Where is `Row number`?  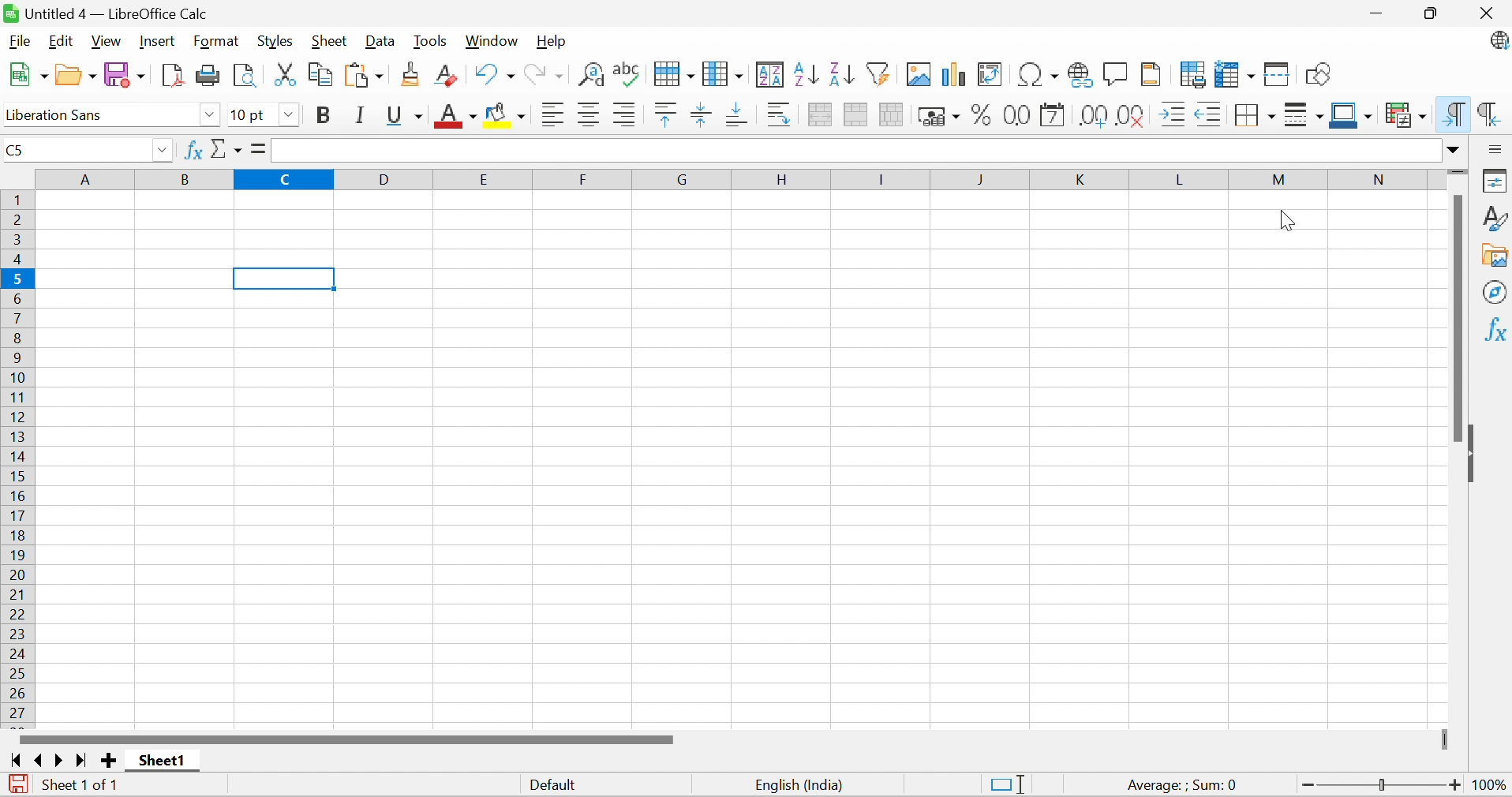
Row number is located at coordinates (18, 458).